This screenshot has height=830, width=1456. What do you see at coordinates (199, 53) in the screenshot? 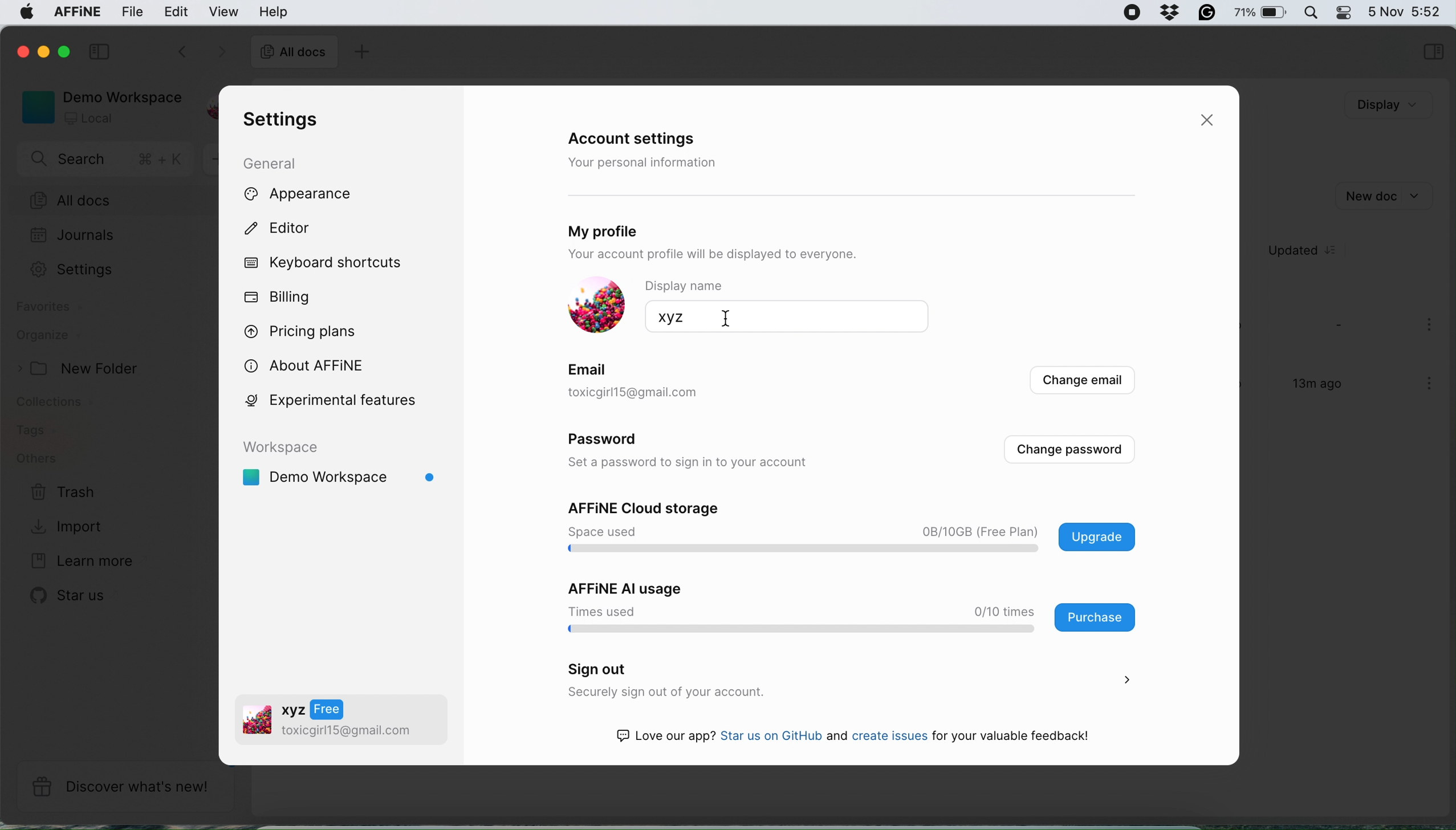
I see `switch between documents` at bounding box center [199, 53].